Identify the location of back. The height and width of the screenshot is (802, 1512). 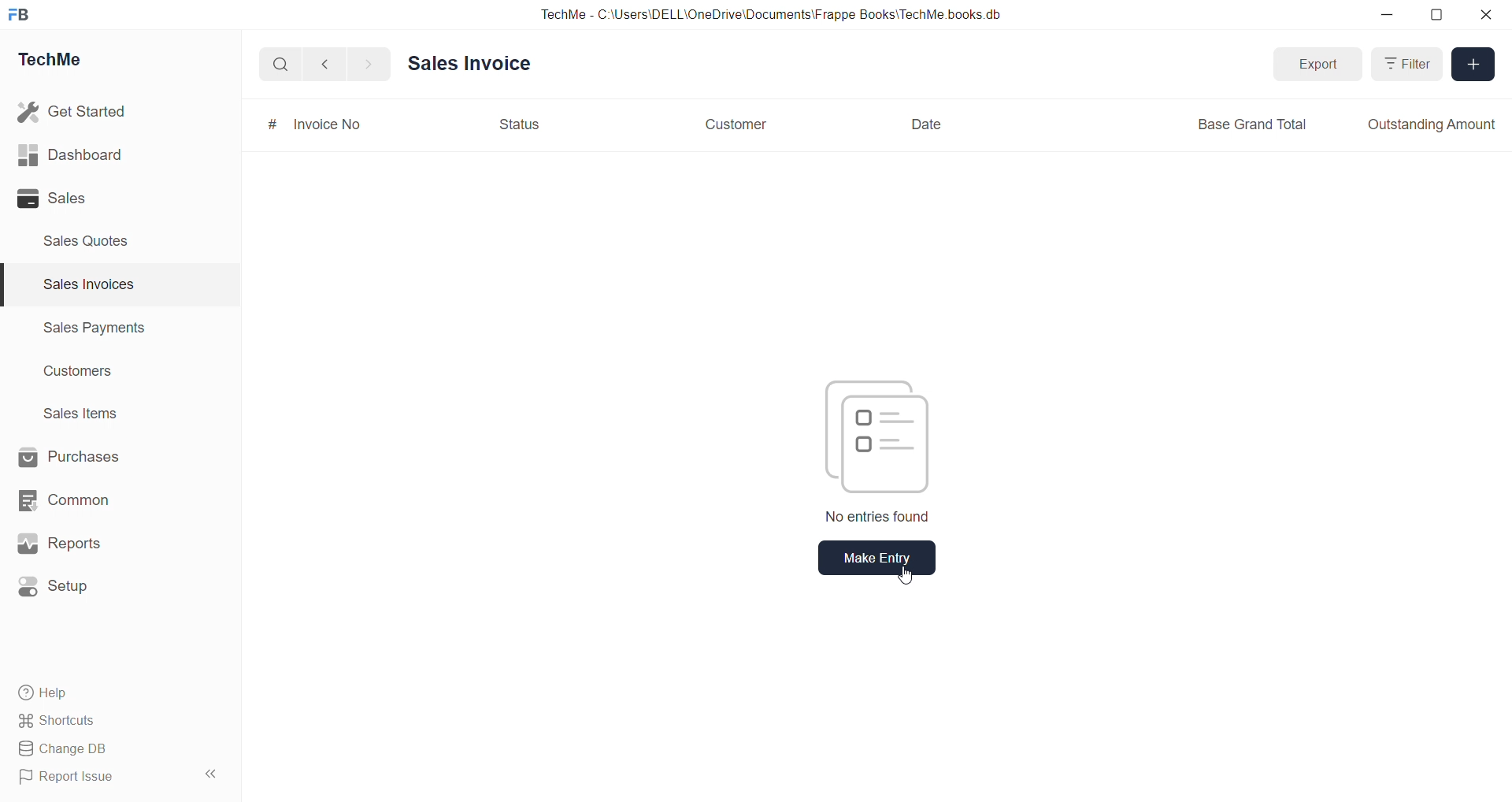
(321, 64).